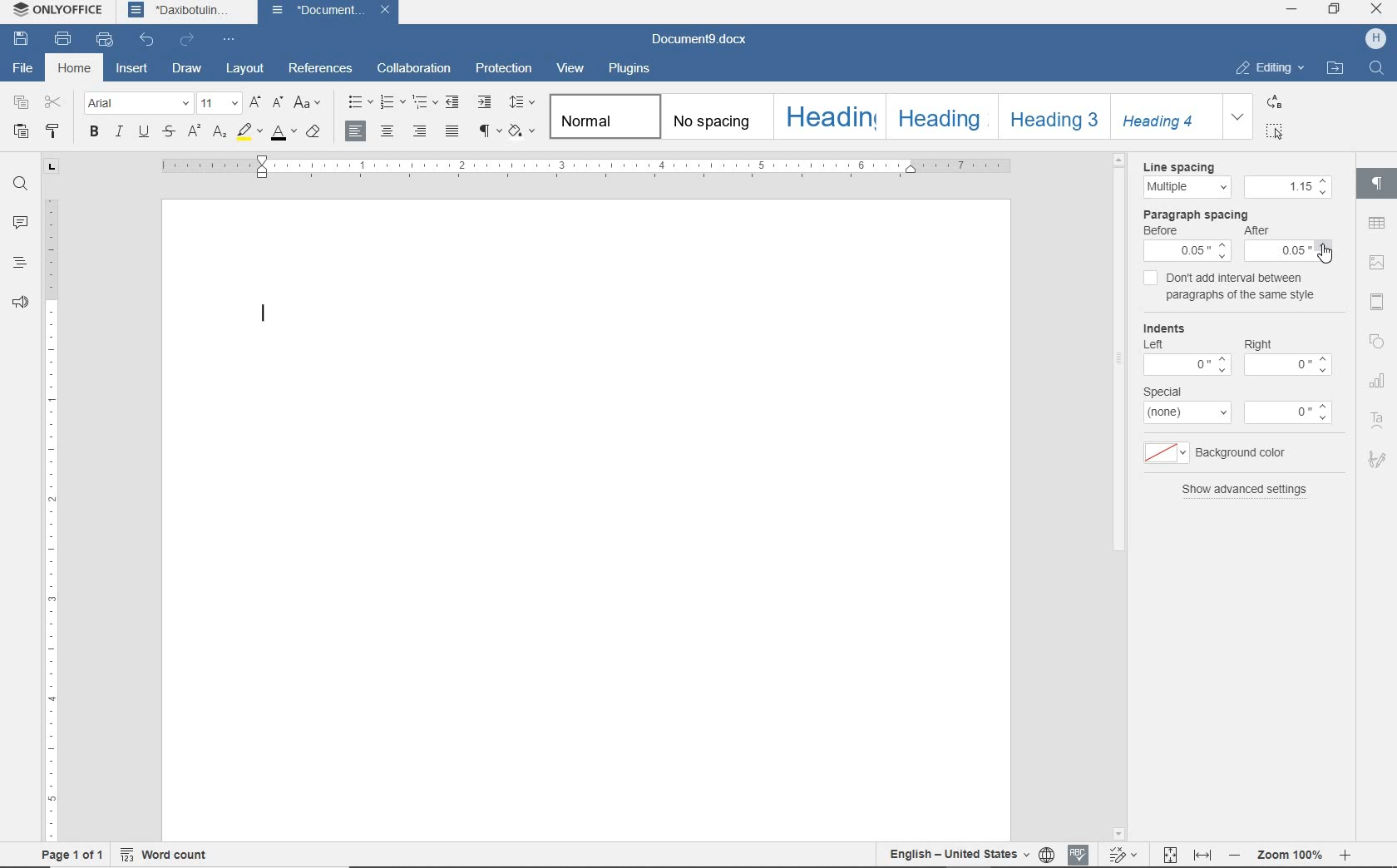  I want to click on quick print, so click(106, 40).